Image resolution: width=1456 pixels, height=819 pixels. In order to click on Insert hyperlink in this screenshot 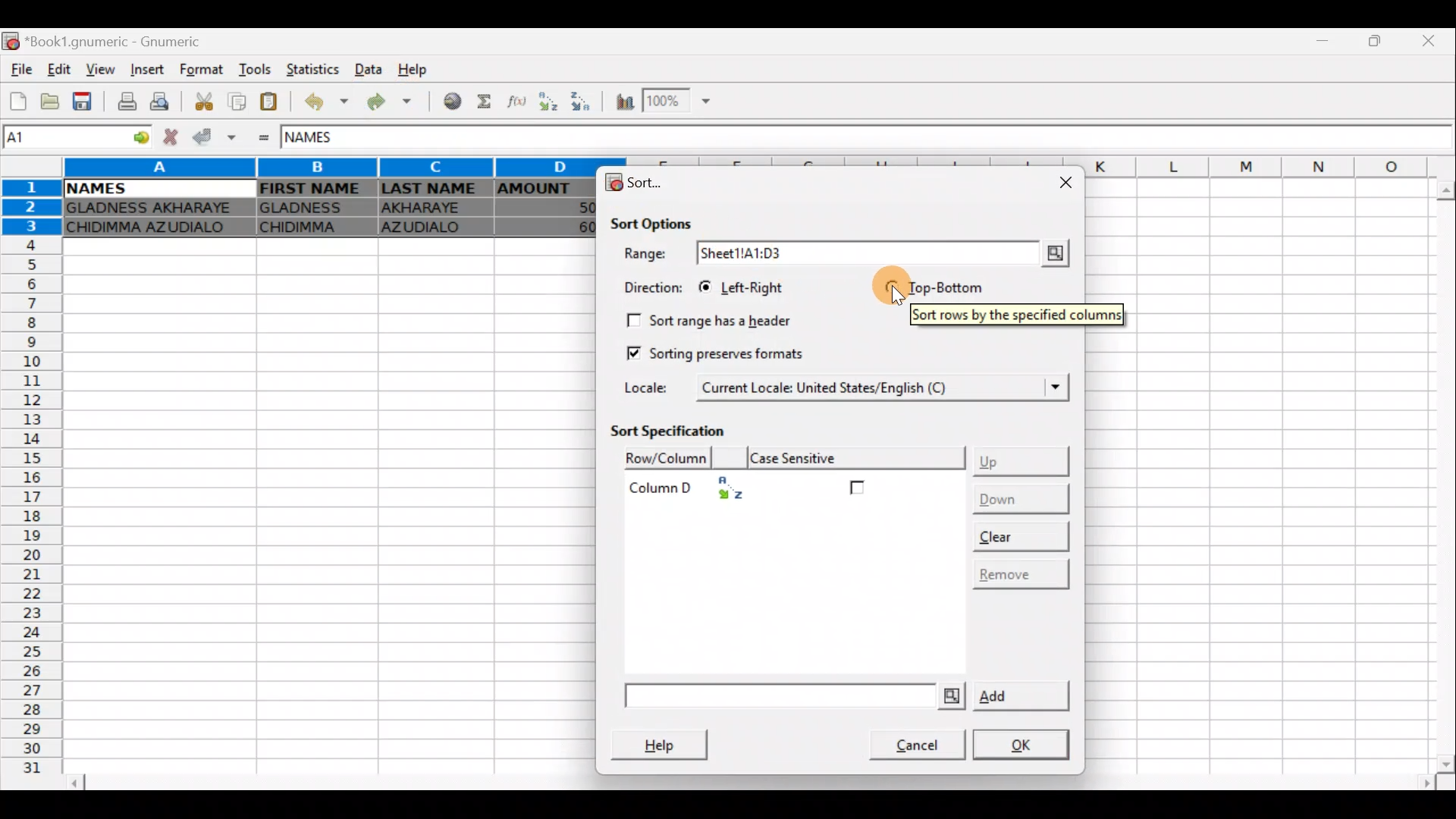, I will do `click(453, 100)`.